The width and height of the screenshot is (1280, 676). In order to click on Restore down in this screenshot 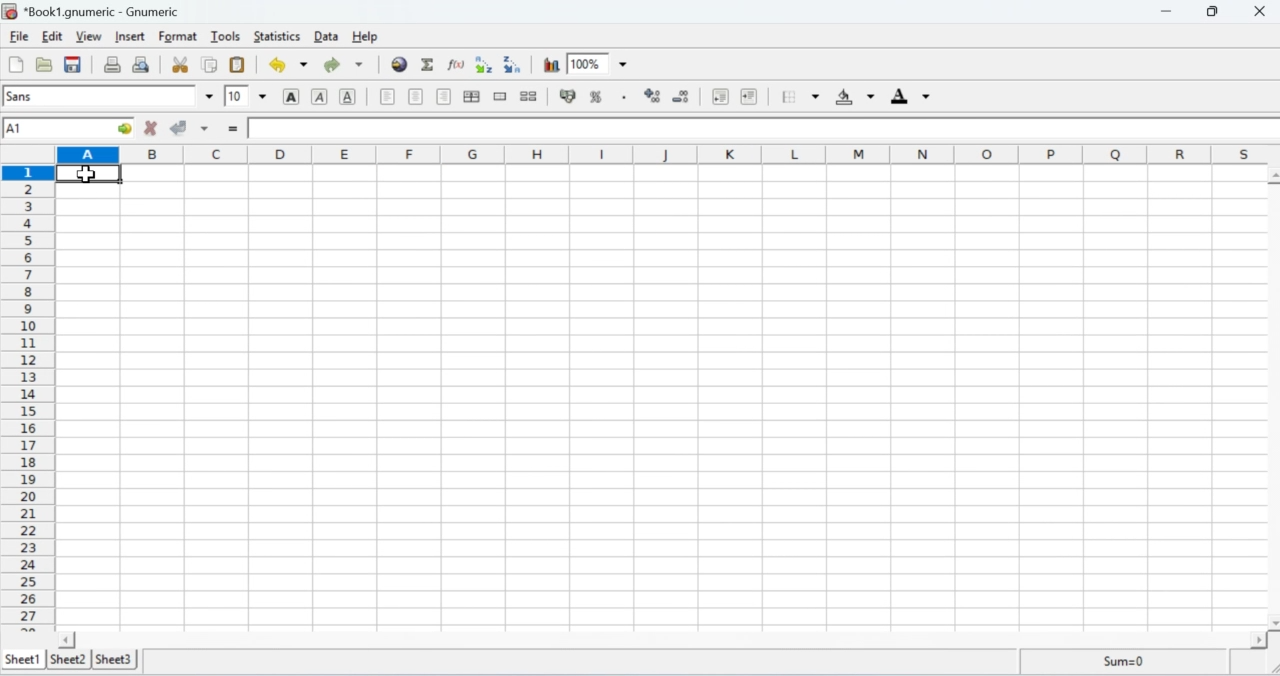, I will do `click(1214, 12)`.